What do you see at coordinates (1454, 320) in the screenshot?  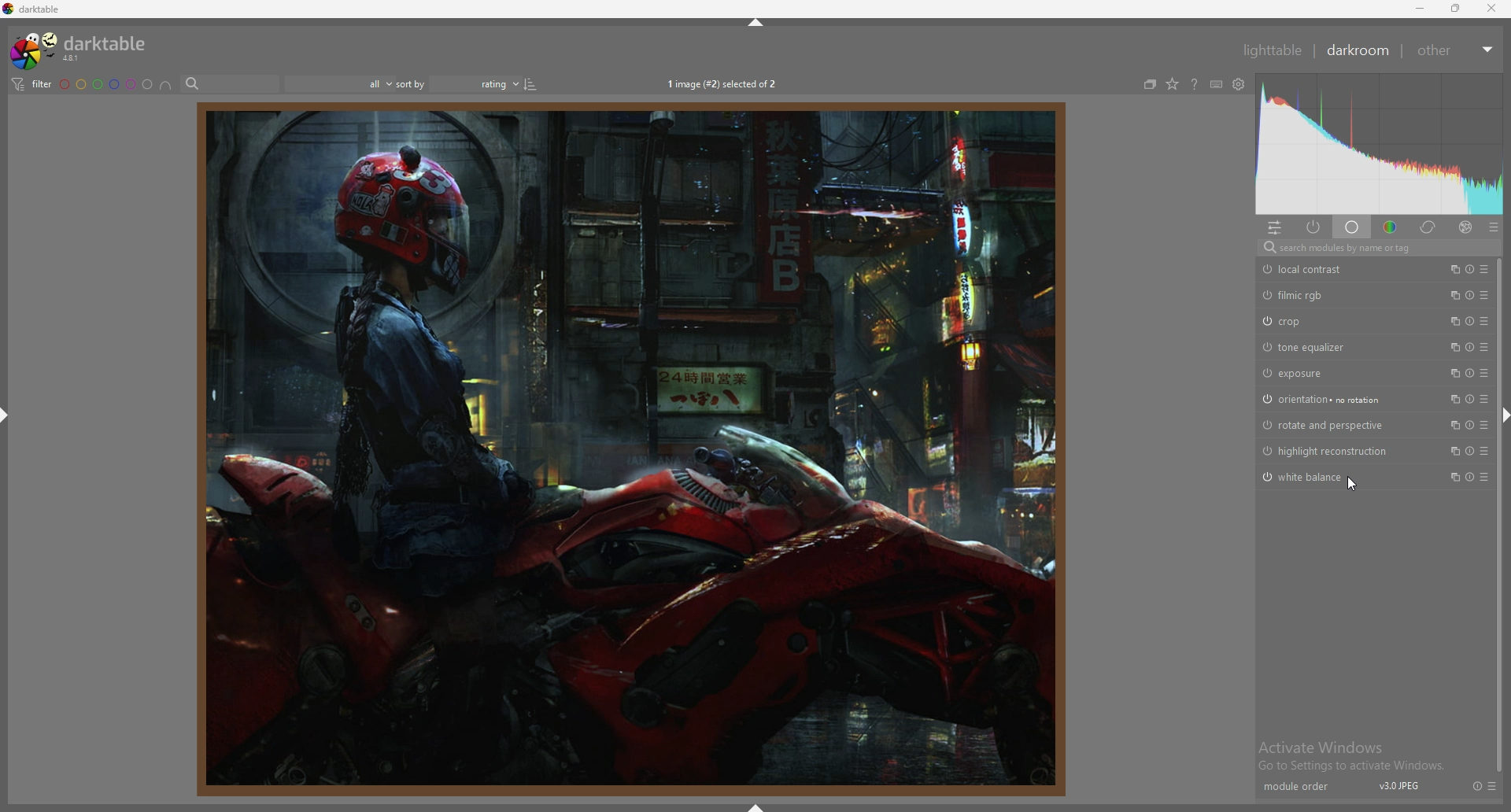 I see `multiple instances action` at bounding box center [1454, 320].